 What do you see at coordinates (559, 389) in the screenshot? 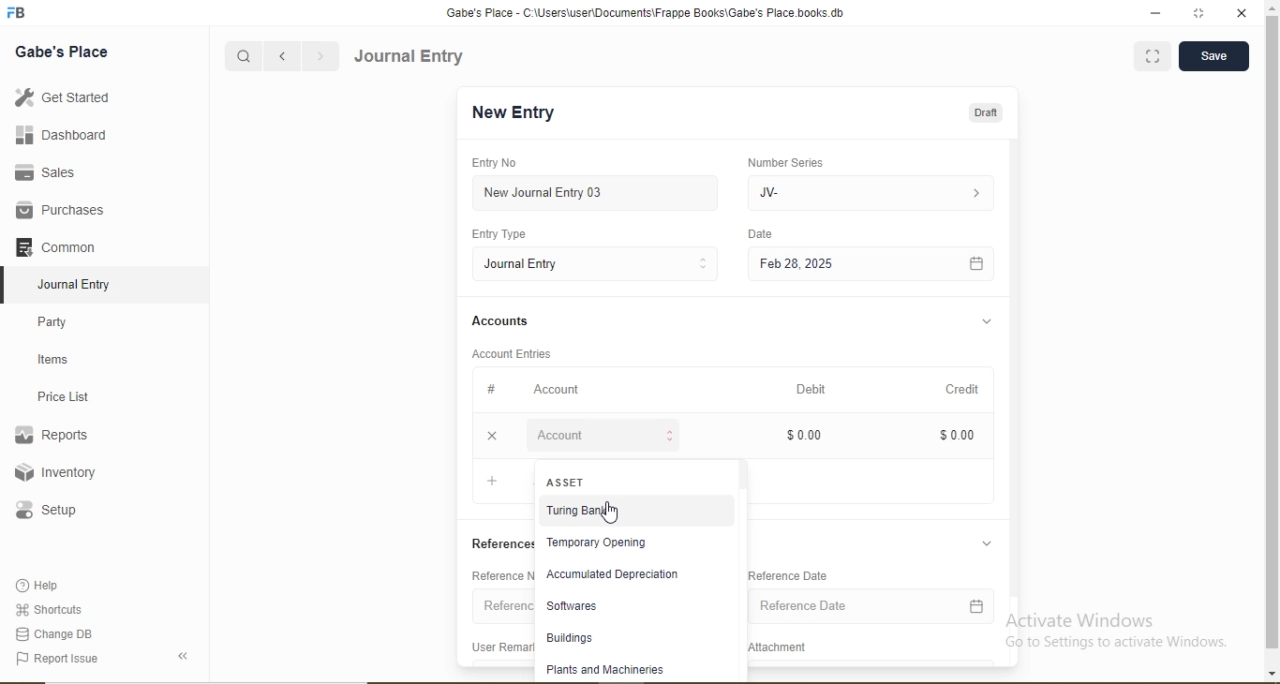
I see `Account` at bounding box center [559, 389].